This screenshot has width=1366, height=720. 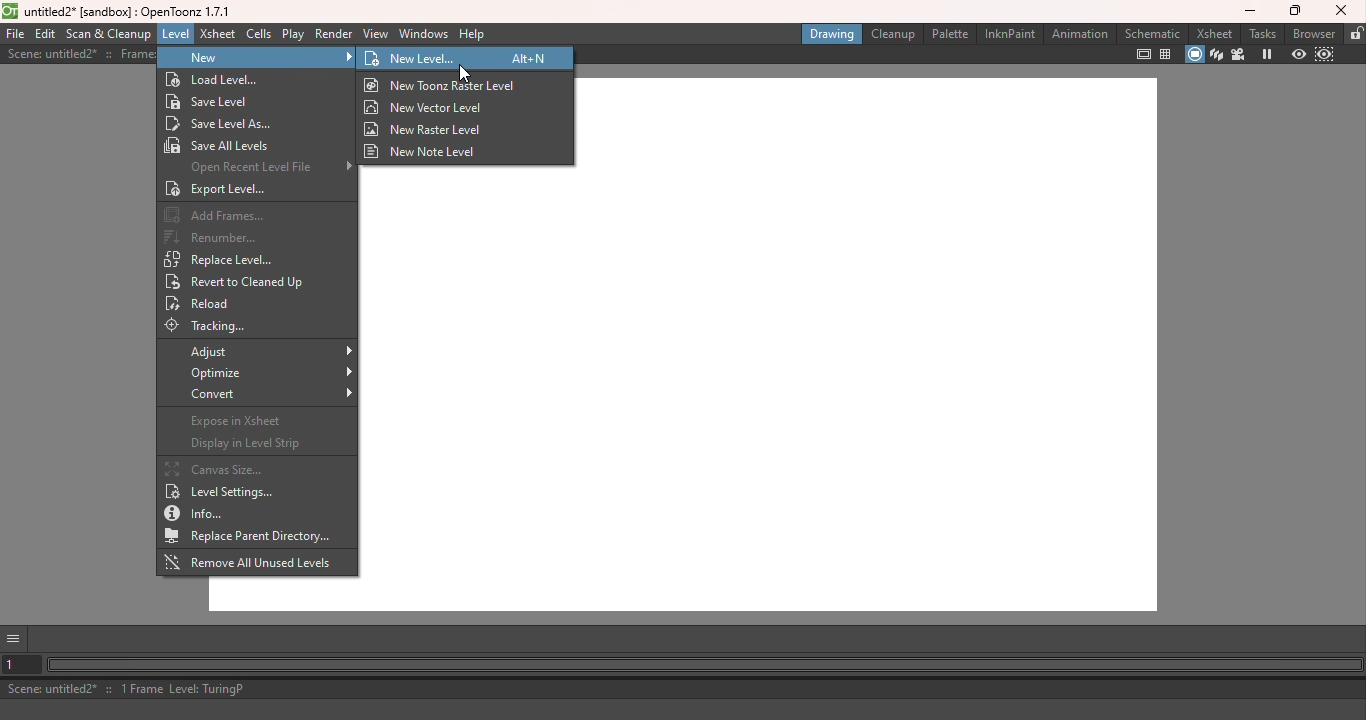 What do you see at coordinates (1252, 13) in the screenshot?
I see `Minimize` at bounding box center [1252, 13].